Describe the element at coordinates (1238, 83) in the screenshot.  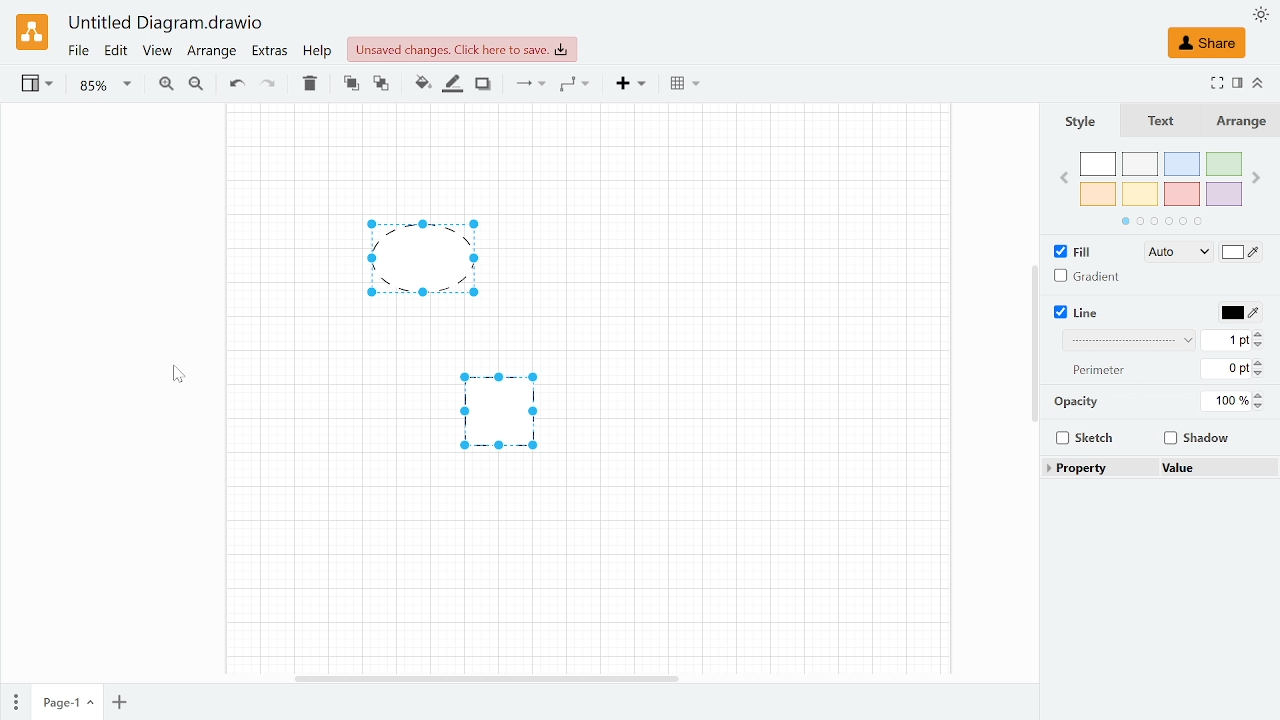
I see `Format` at that location.